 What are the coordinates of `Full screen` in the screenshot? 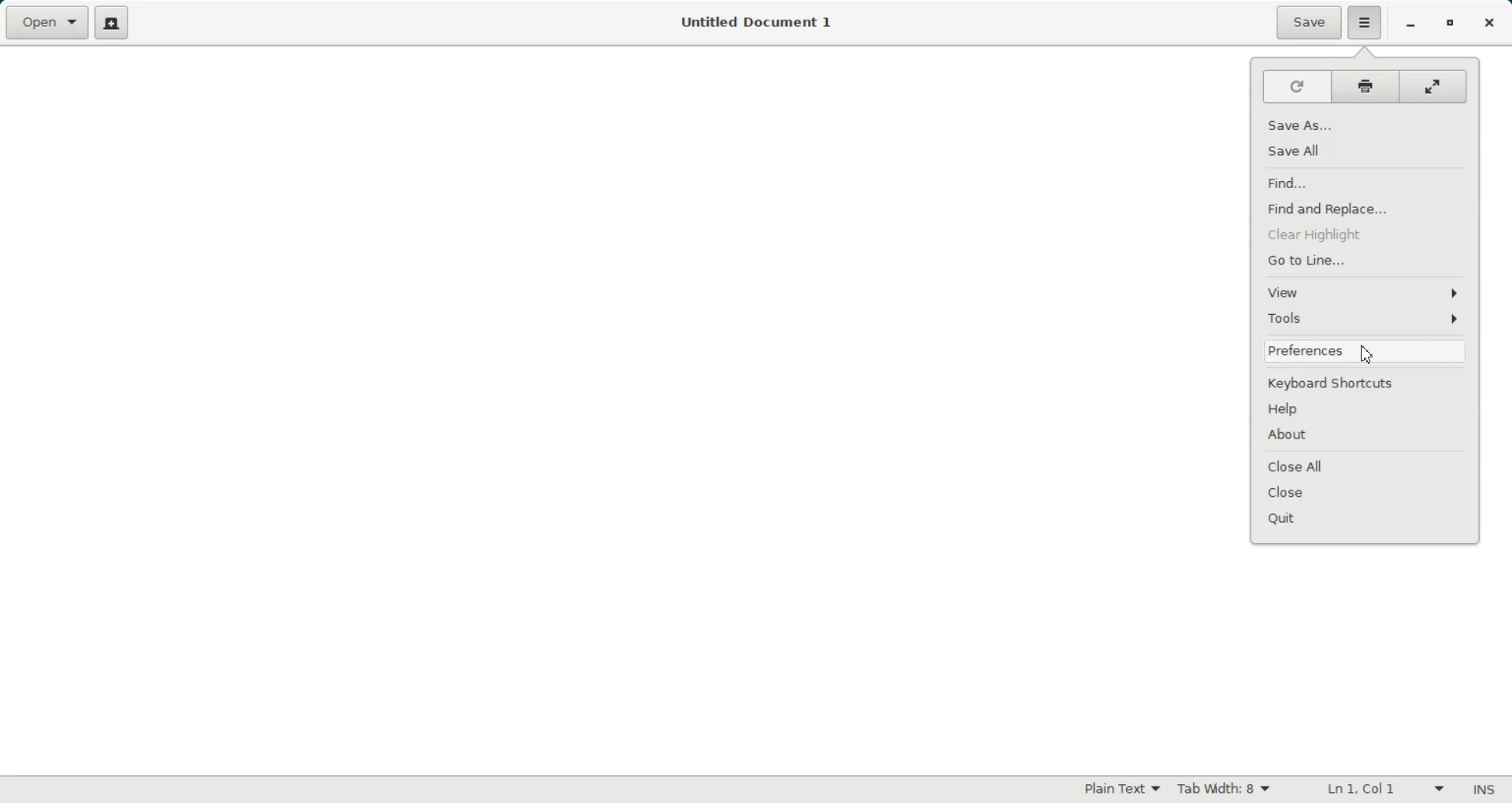 It's located at (1437, 86).